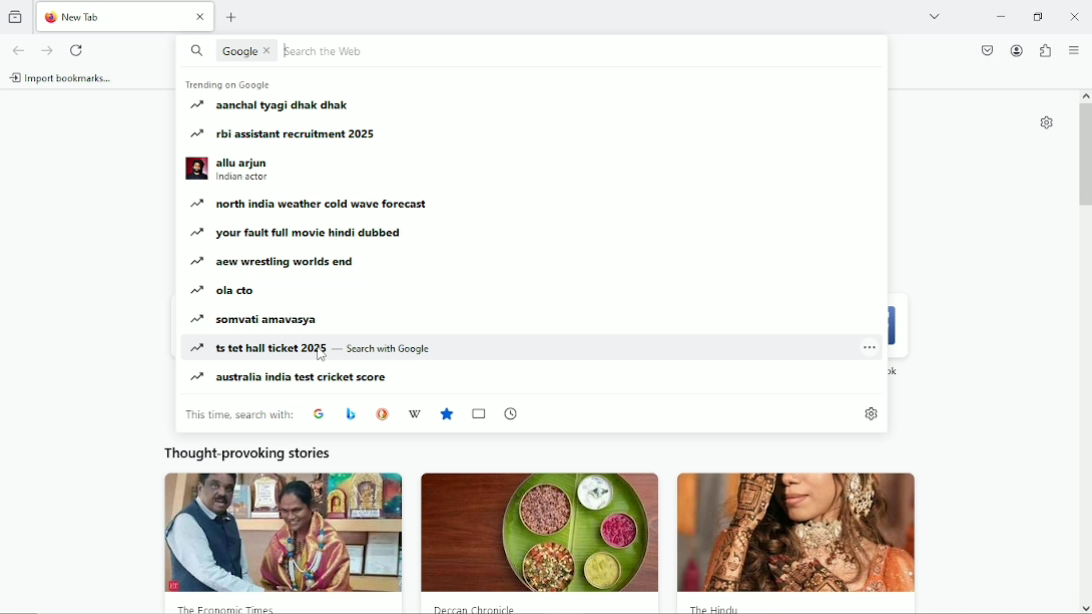 The width and height of the screenshot is (1092, 614). What do you see at coordinates (220, 292) in the screenshot?
I see `ola cto` at bounding box center [220, 292].